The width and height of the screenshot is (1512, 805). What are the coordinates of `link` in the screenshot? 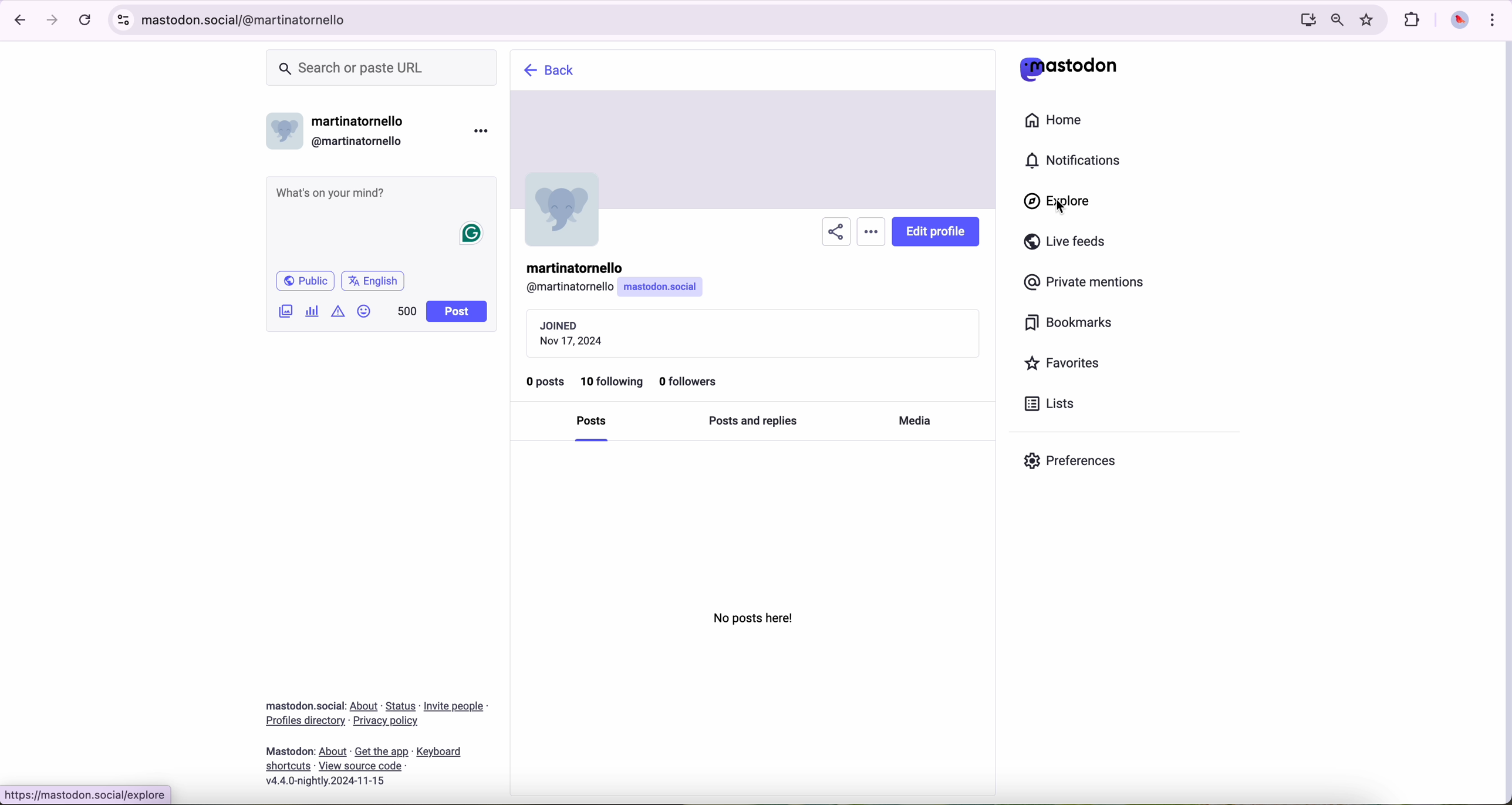 It's located at (439, 753).